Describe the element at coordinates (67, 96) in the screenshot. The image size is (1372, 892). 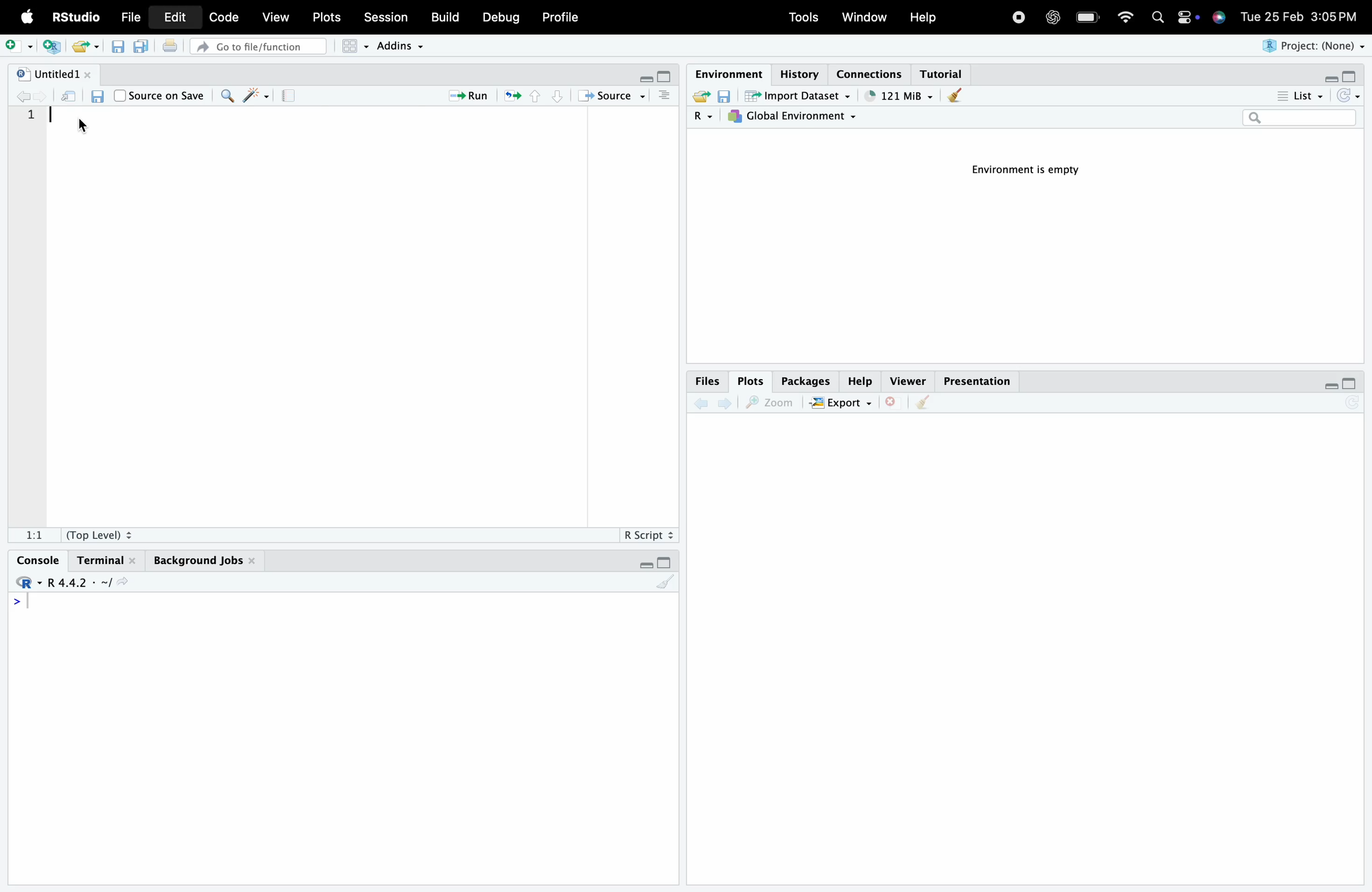
I see `Show in new window` at that location.